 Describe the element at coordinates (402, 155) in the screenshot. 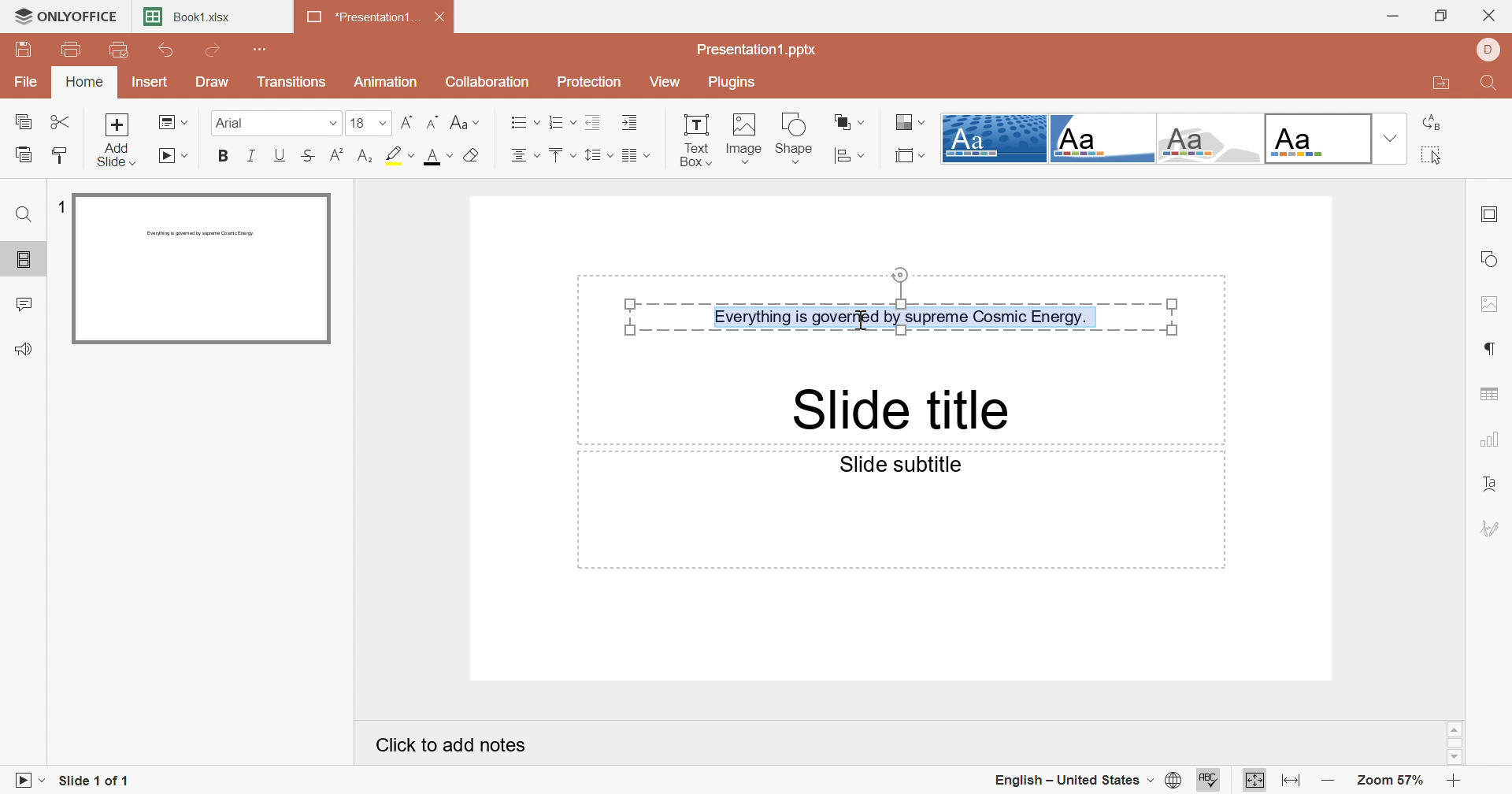

I see `highlight color` at that location.